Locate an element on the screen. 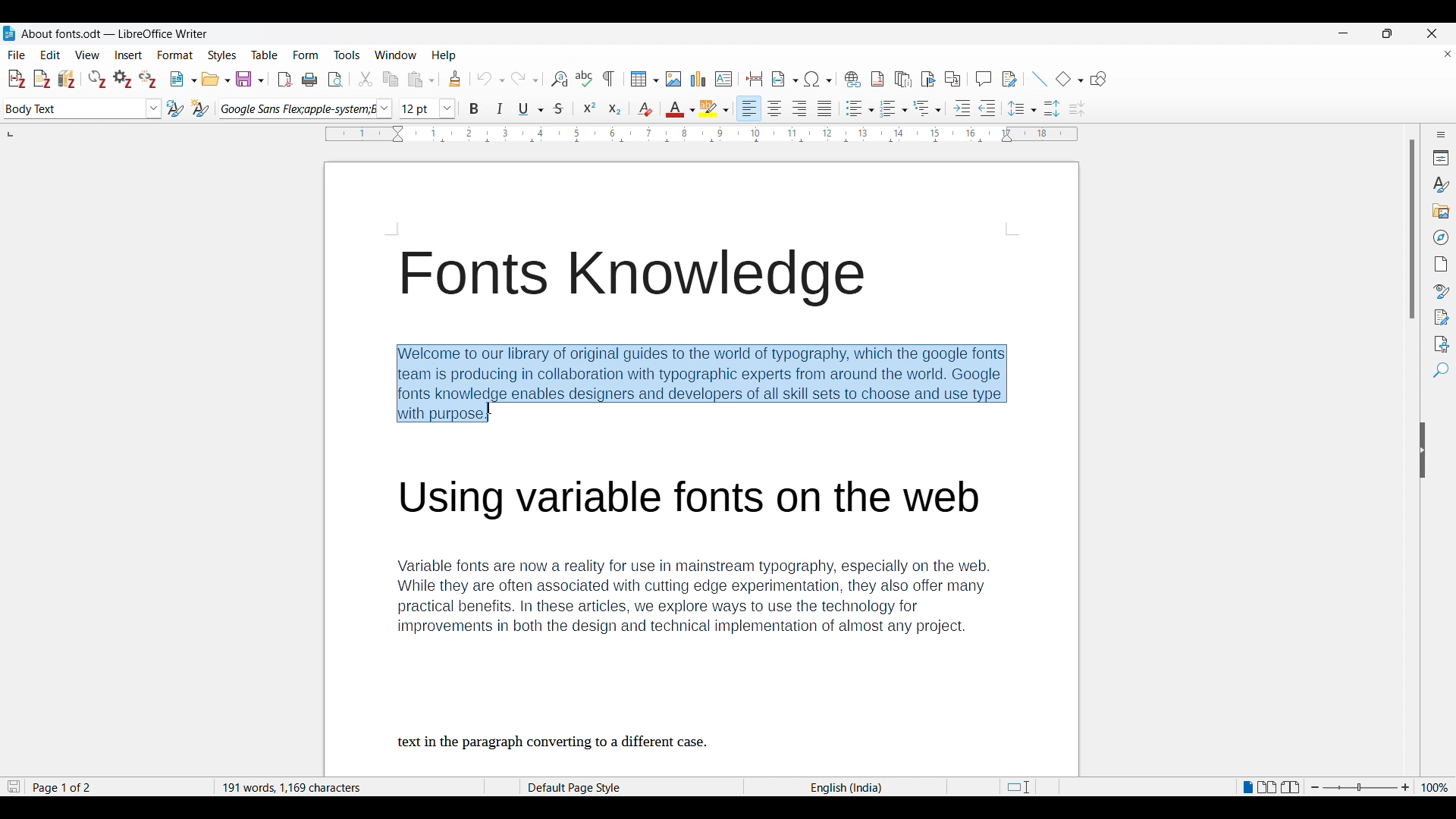  Page 1 of 2 is located at coordinates (63, 785).